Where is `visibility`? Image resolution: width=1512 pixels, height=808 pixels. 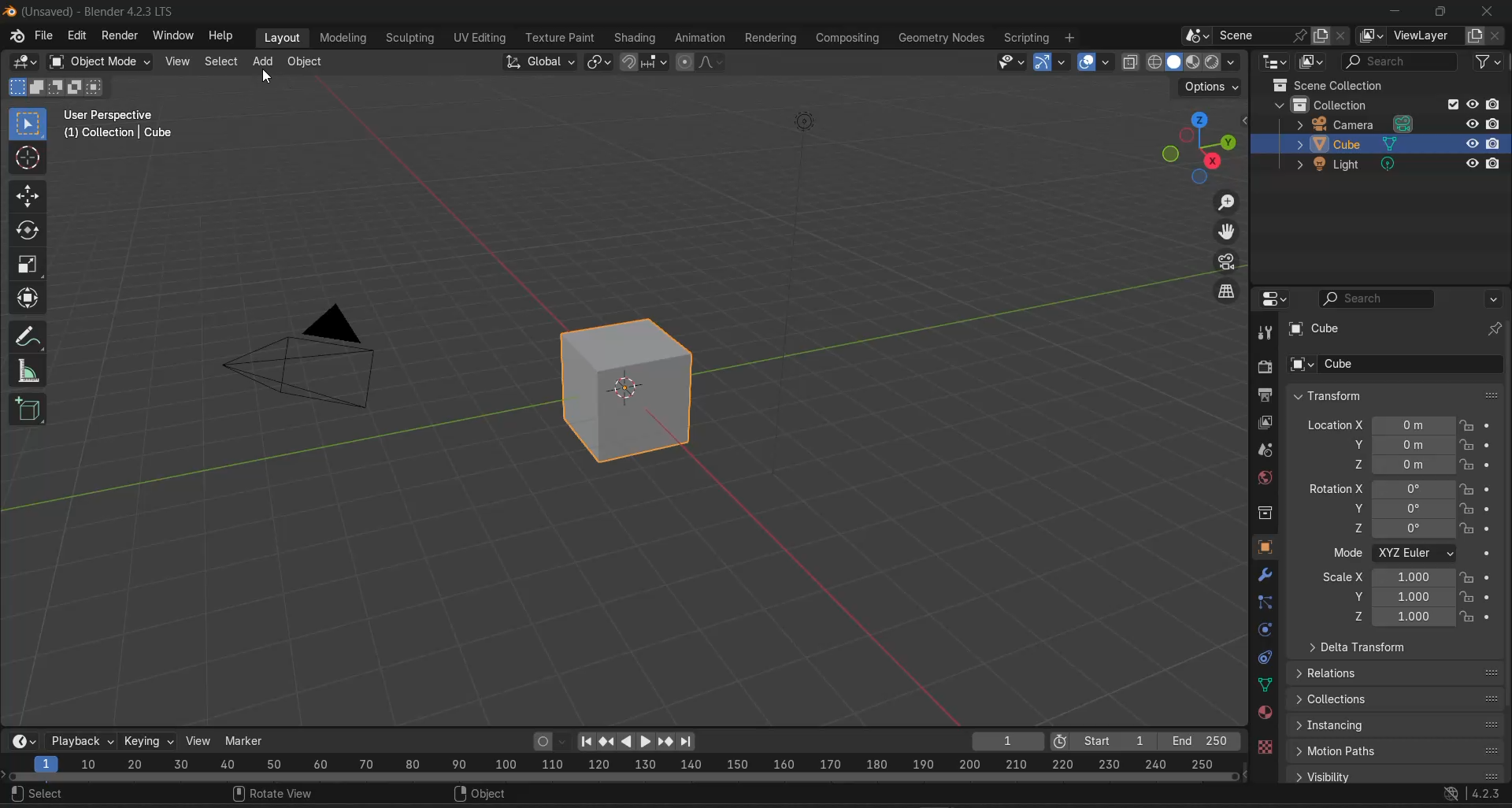 visibility is located at coordinates (1395, 775).